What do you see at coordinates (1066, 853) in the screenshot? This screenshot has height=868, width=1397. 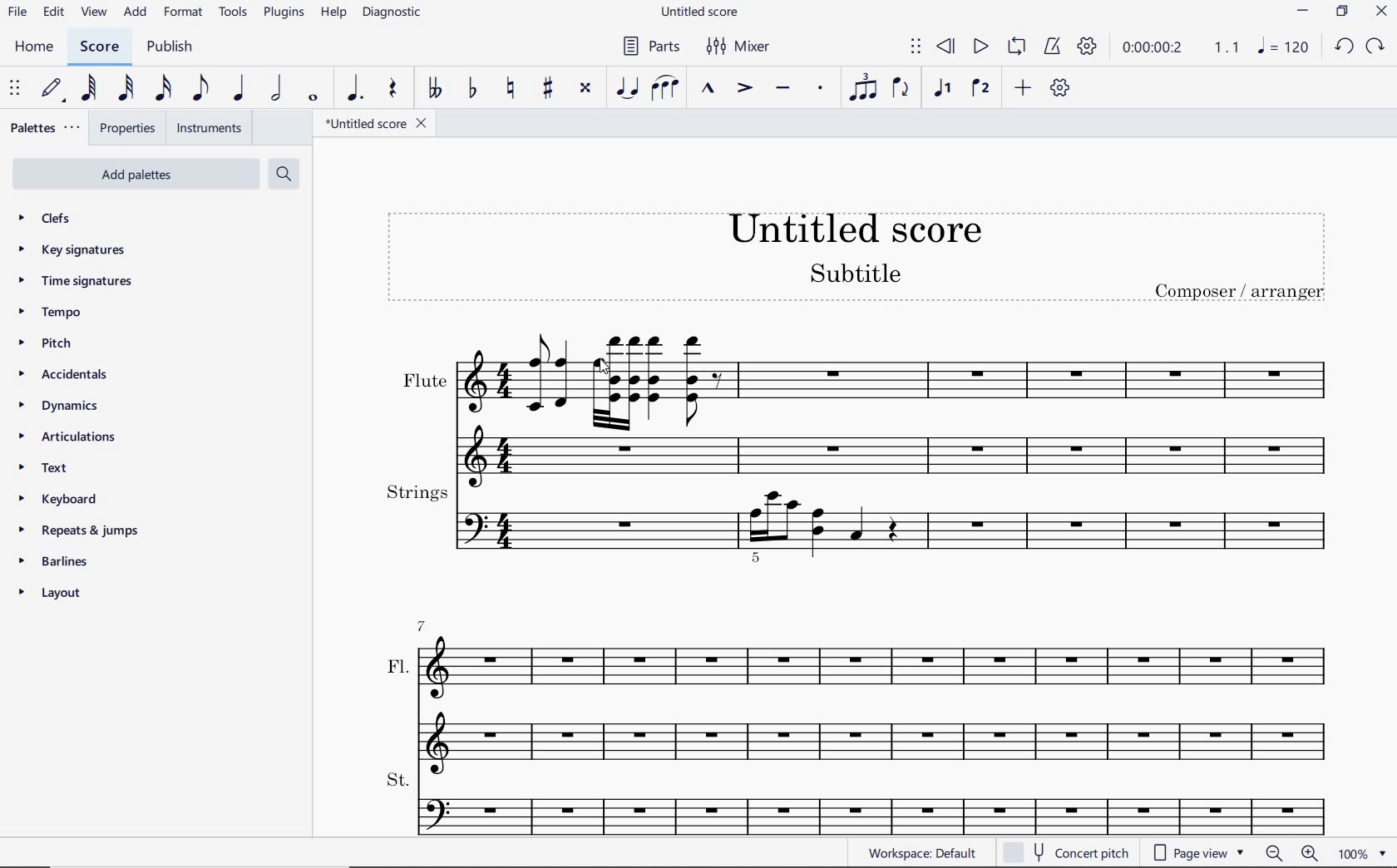 I see `concert pitch` at bounding box center [1066, 853].